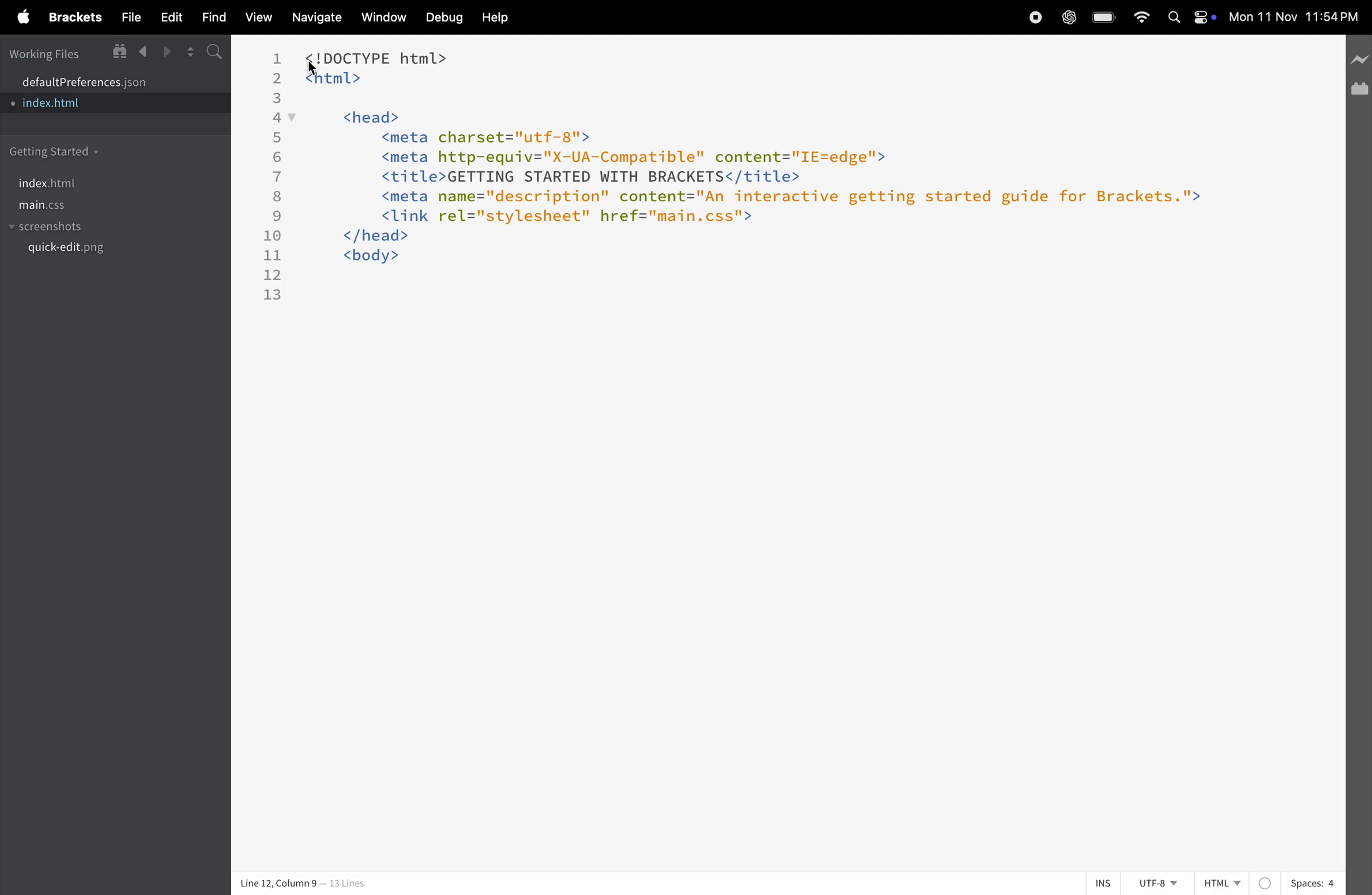 The image size is (1372, 895). What do you see at coordinates (274, 296) in the screenshot?
I see `13` at bounding box center [274, 296].